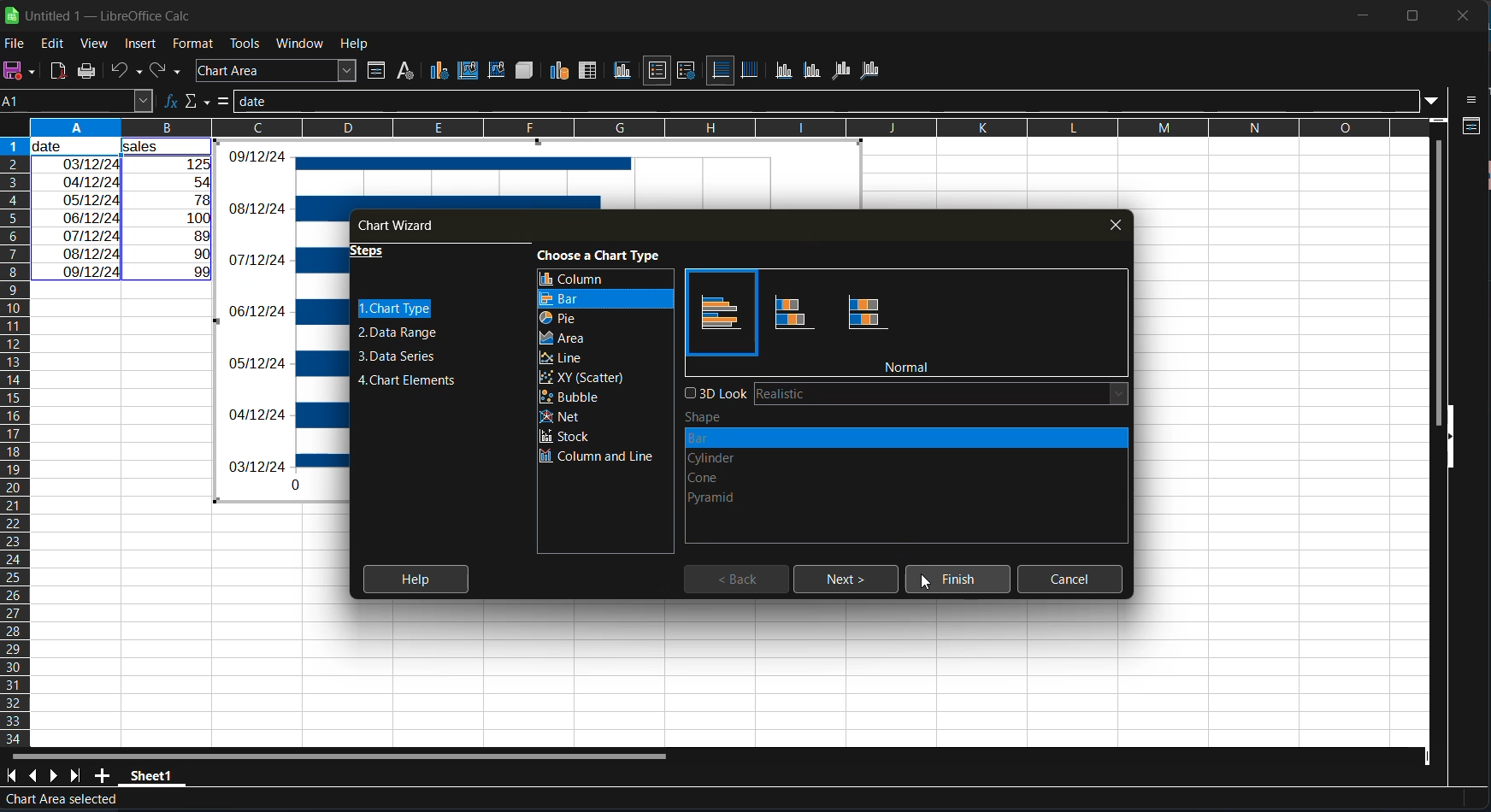 This screenshot has height=812, width=1491. I want to click on x axis, so click(787, 70).